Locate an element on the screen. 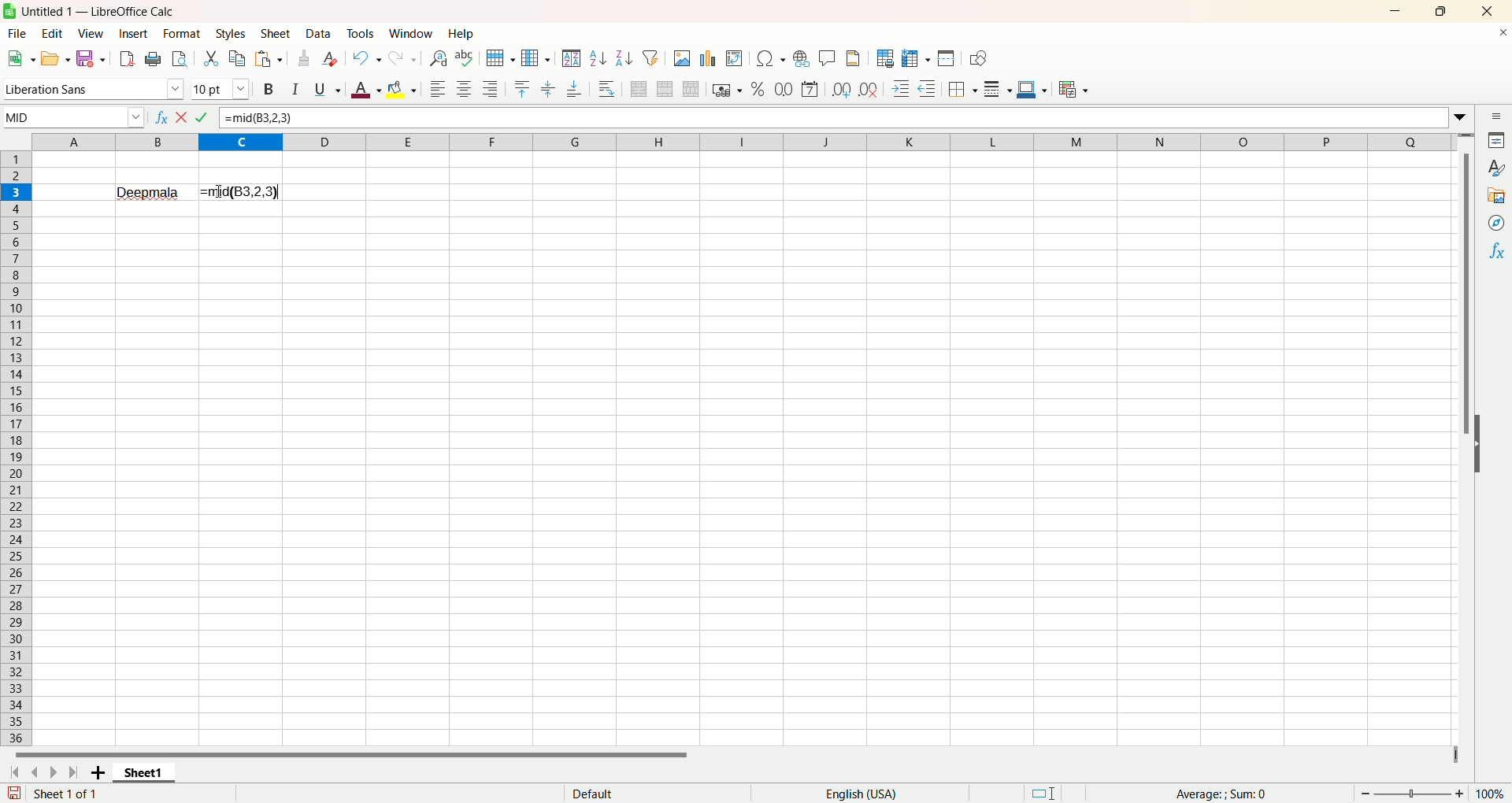  save is located at coordinates (14, 793).